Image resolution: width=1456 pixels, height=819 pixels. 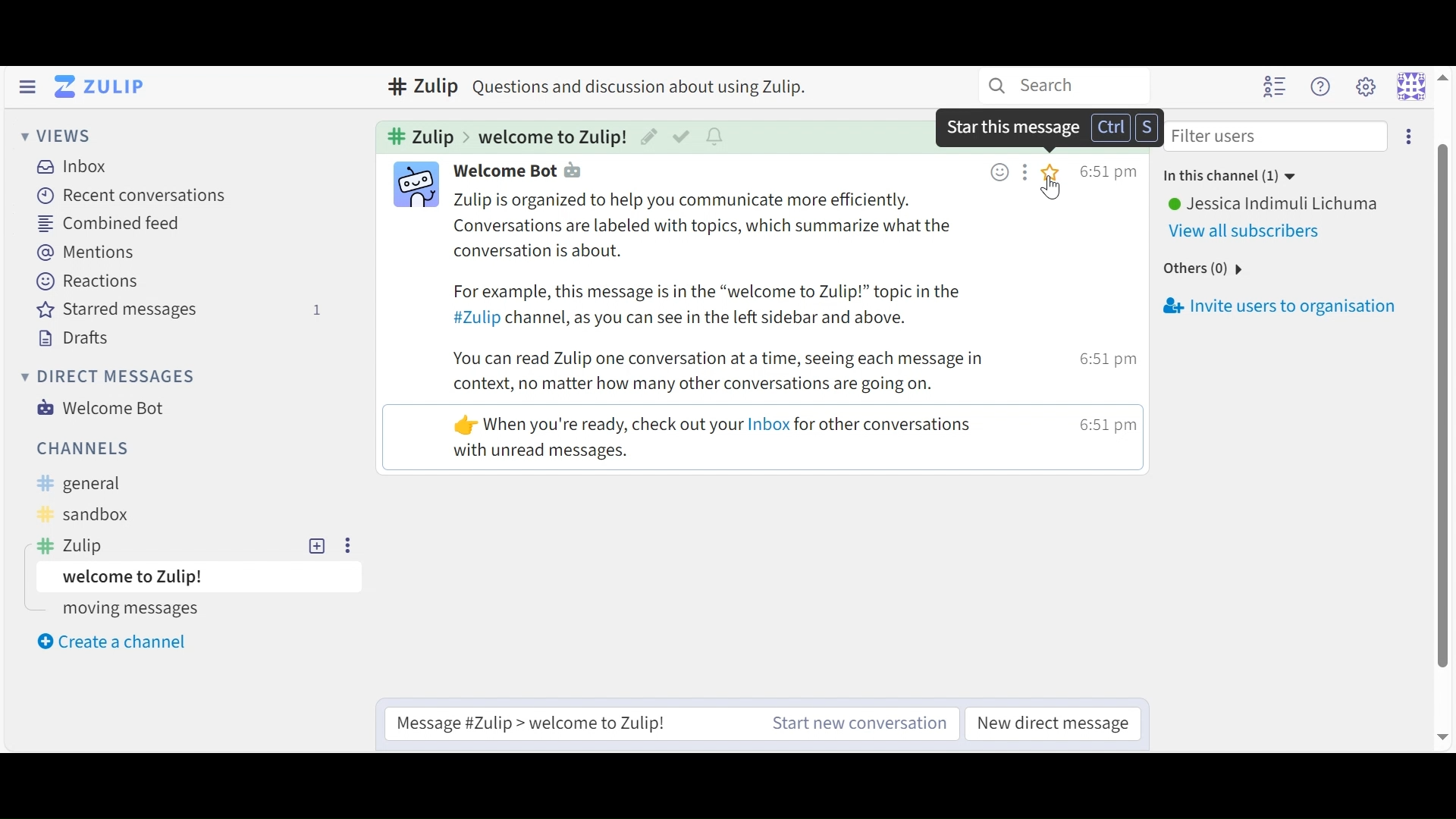 What do you see at coordinates (80, 484) in the screenshot?
I see `General` at bounding box center [80, 484].